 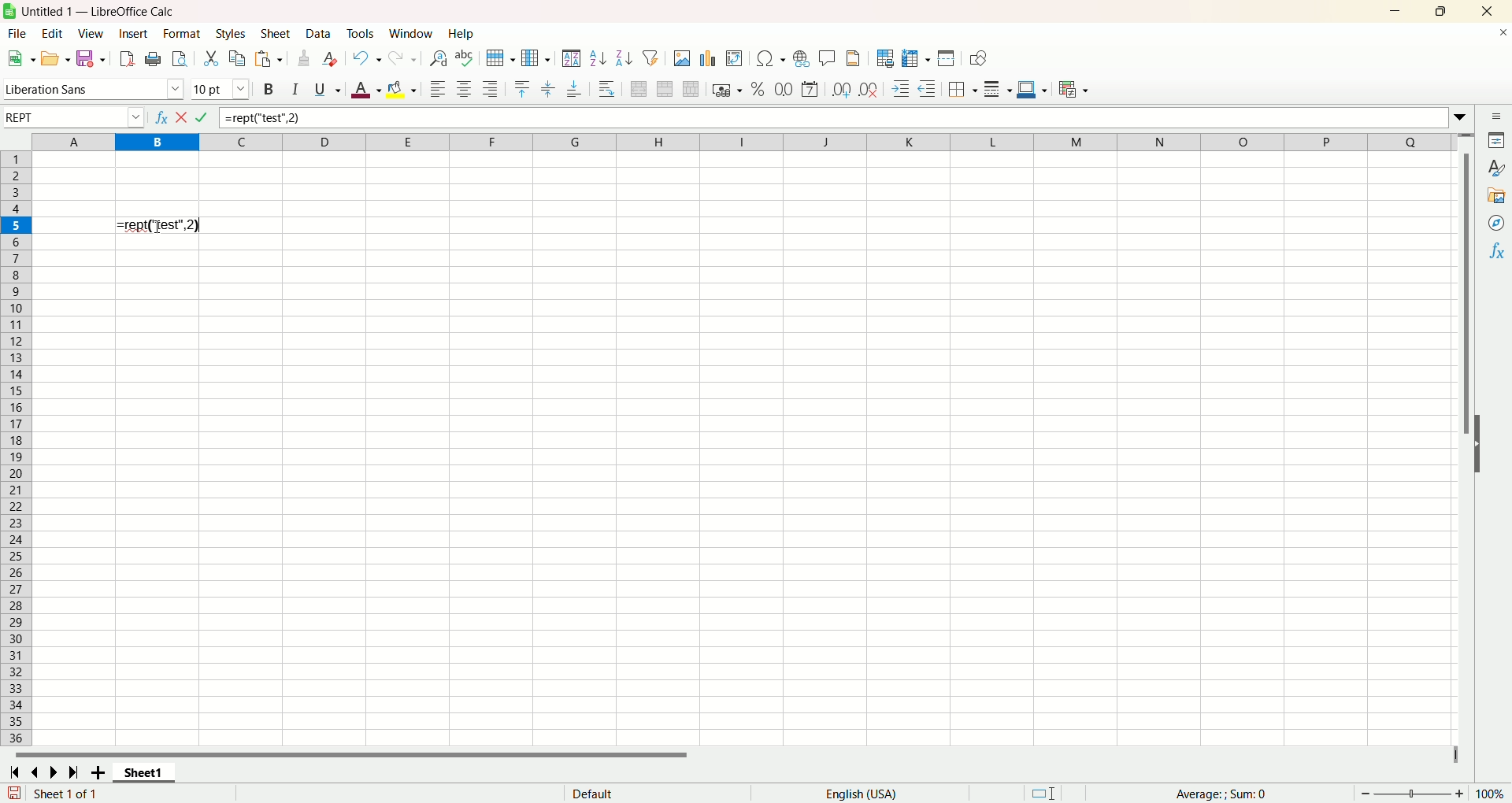 I want to click on autofilter, so click(x=653, y=57).